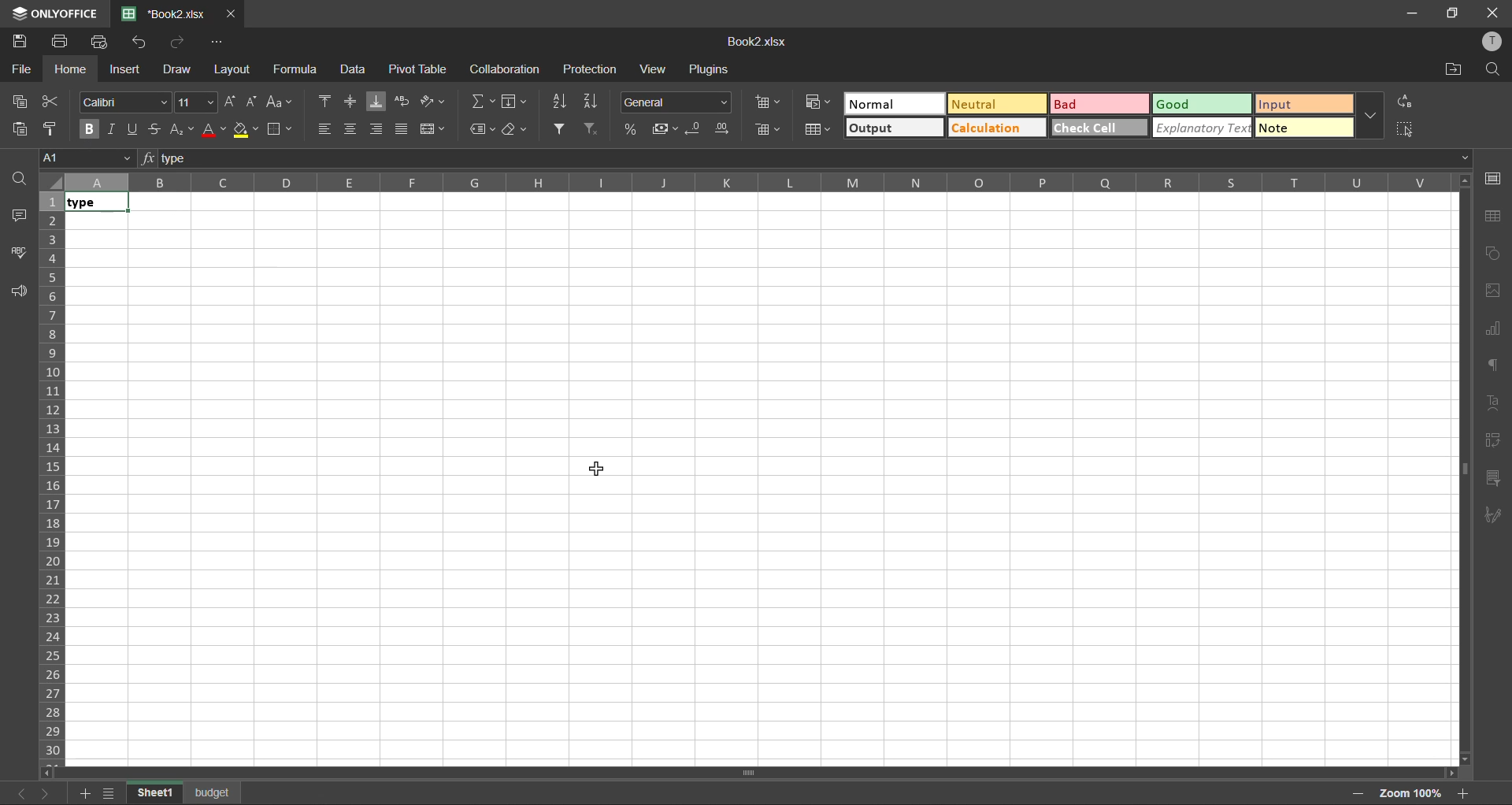 Image resolution: width=1512 pixels, height=805 pixels. Describe the element at coordinates (198, 102) in the screenshot. I see `font size` at that location.